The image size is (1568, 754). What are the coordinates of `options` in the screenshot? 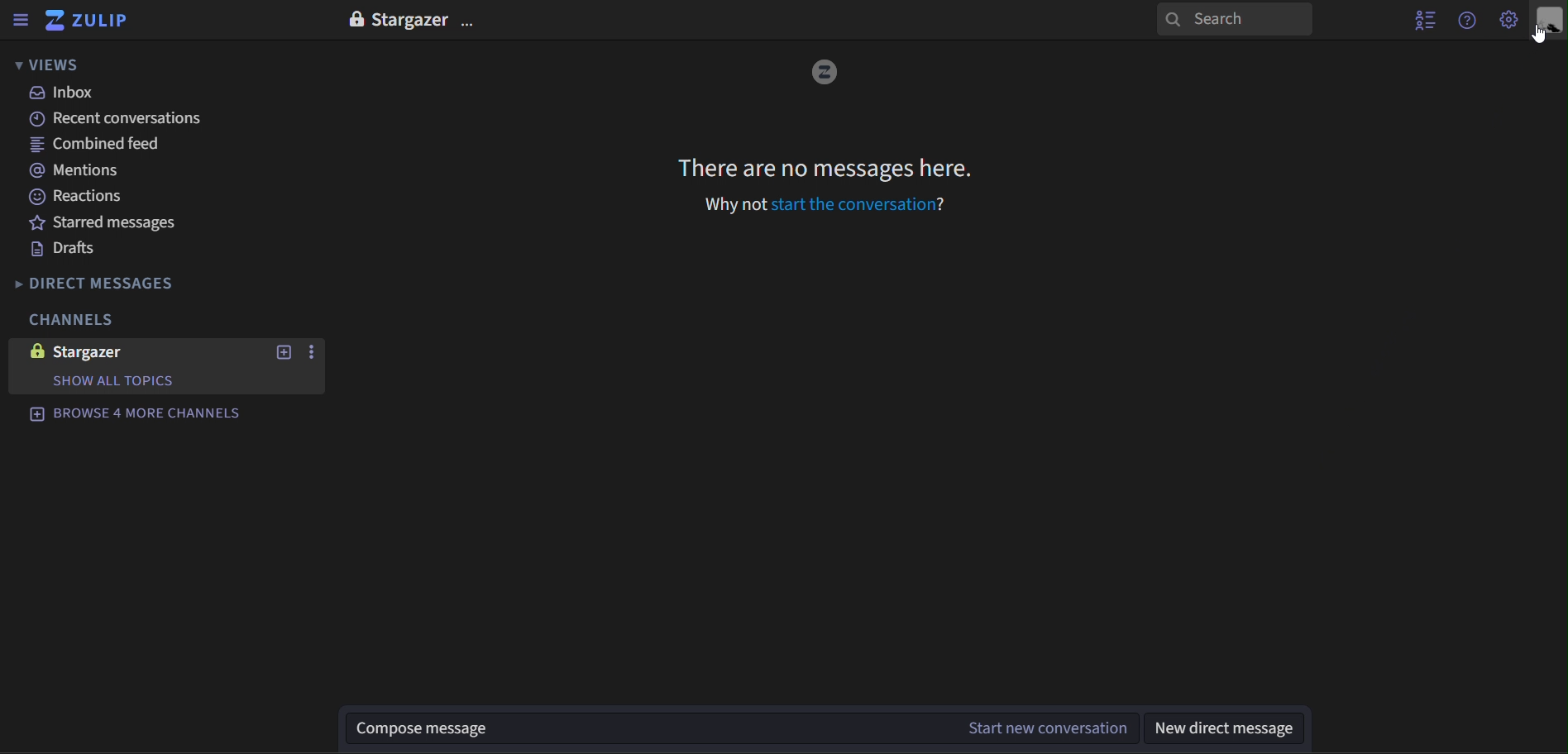 It's located at (473, 17).